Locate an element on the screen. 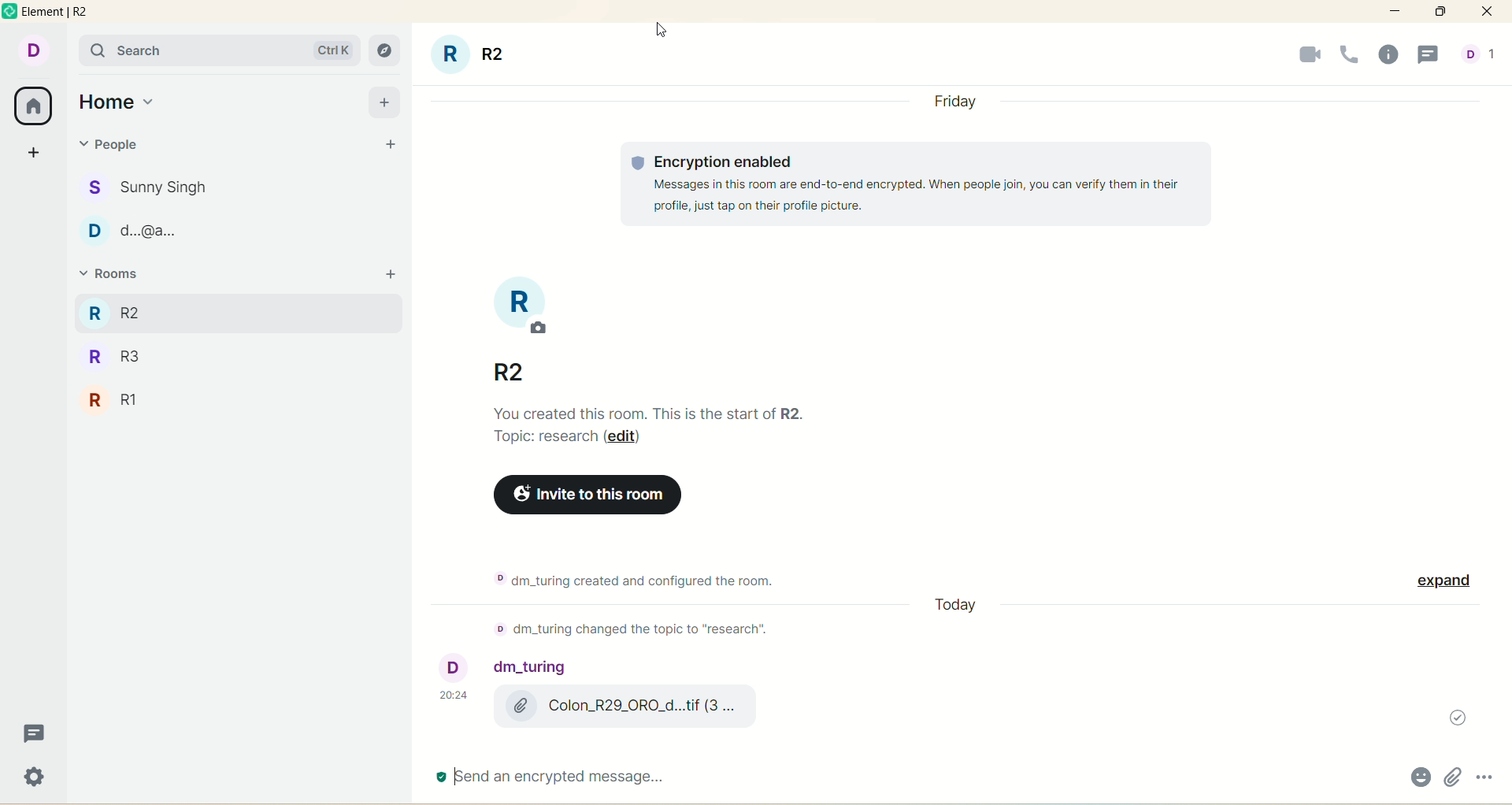 Image resolution: width=1512 pixels, height=805 pixels. video call is located at coordinates (1306, 55).